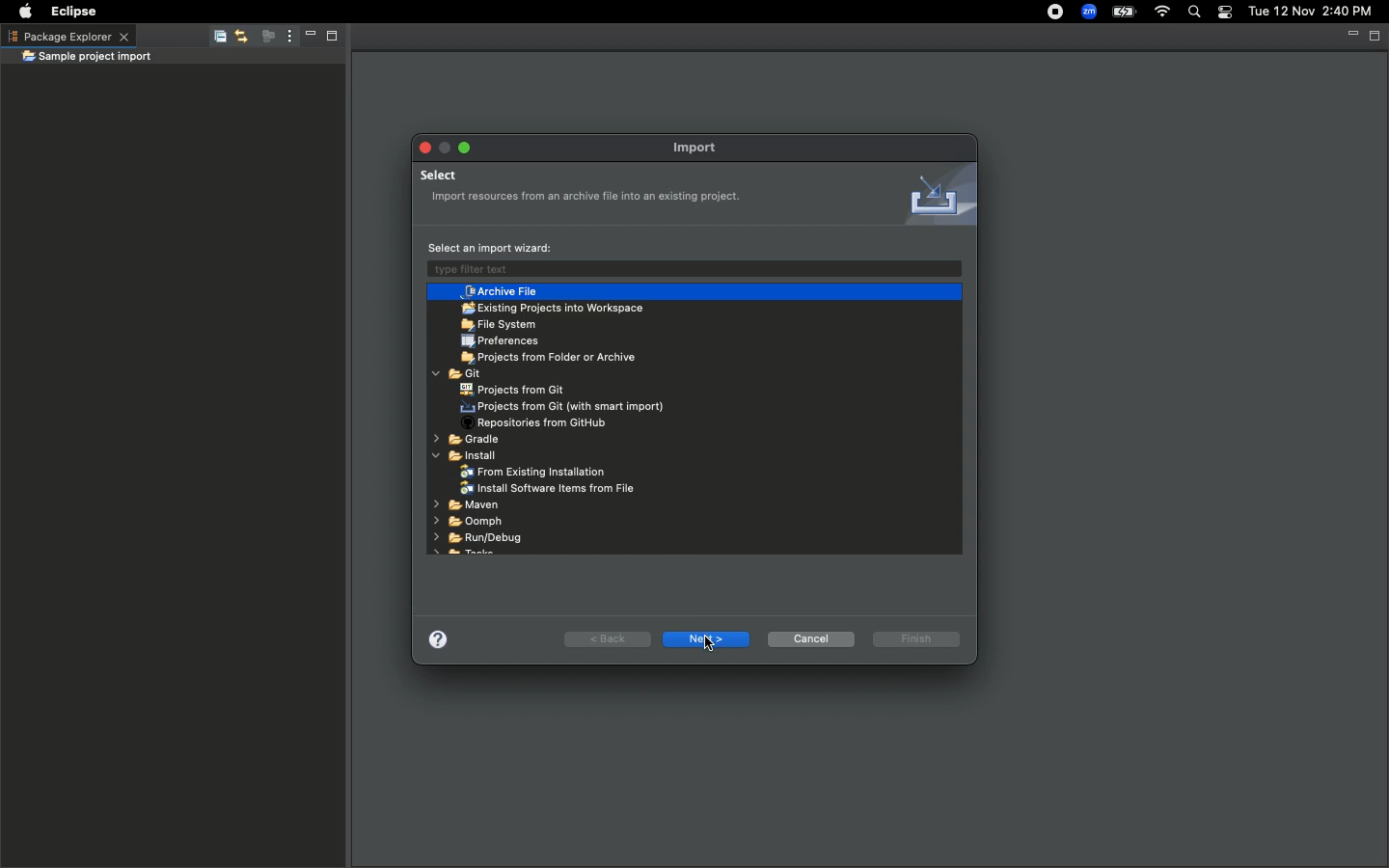  Describe the element at coordinates (503, 341) in the screenshot. I see `Preferences` at that location.